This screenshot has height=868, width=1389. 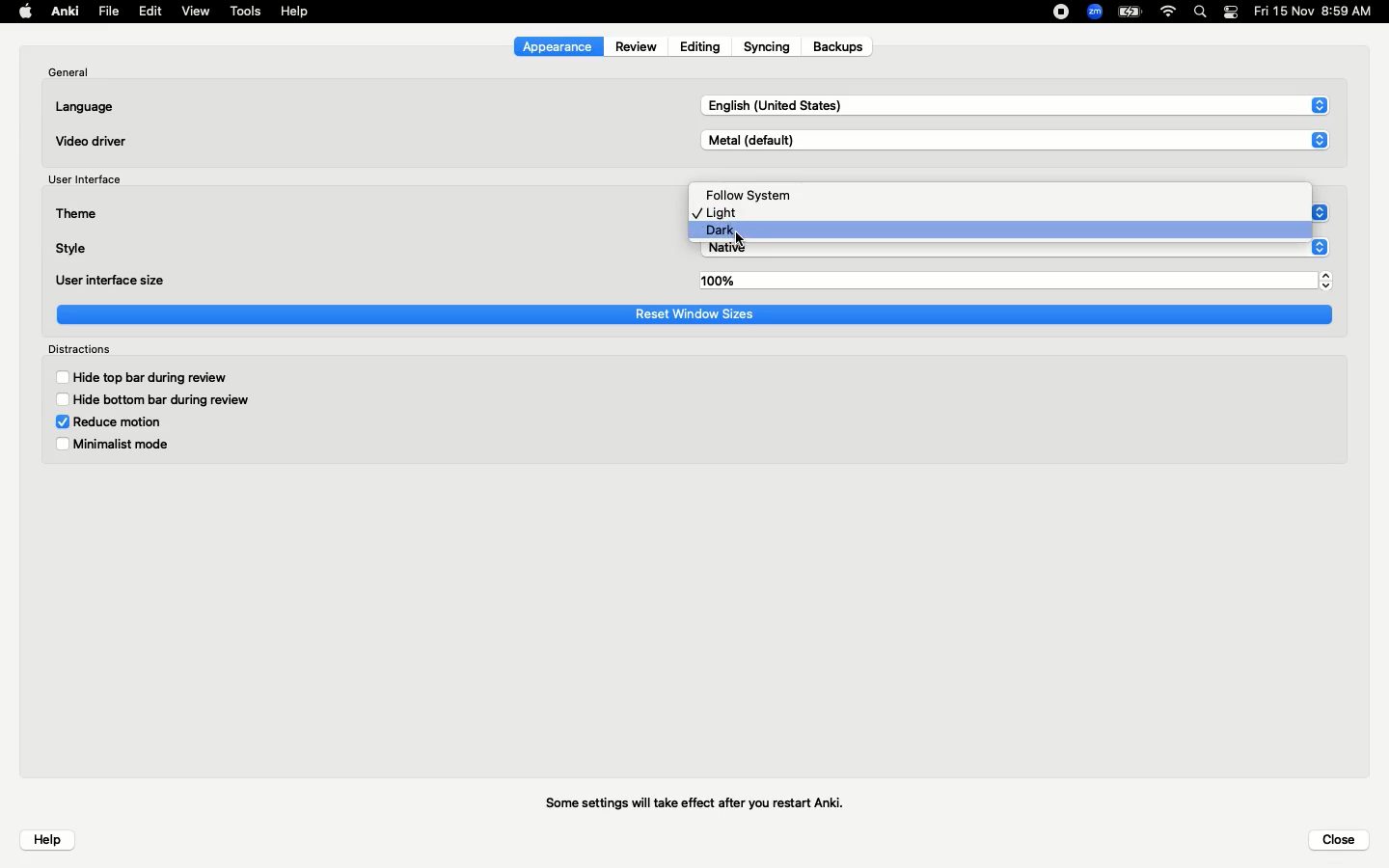 I want to click on Language, so click(x=87, y=107).